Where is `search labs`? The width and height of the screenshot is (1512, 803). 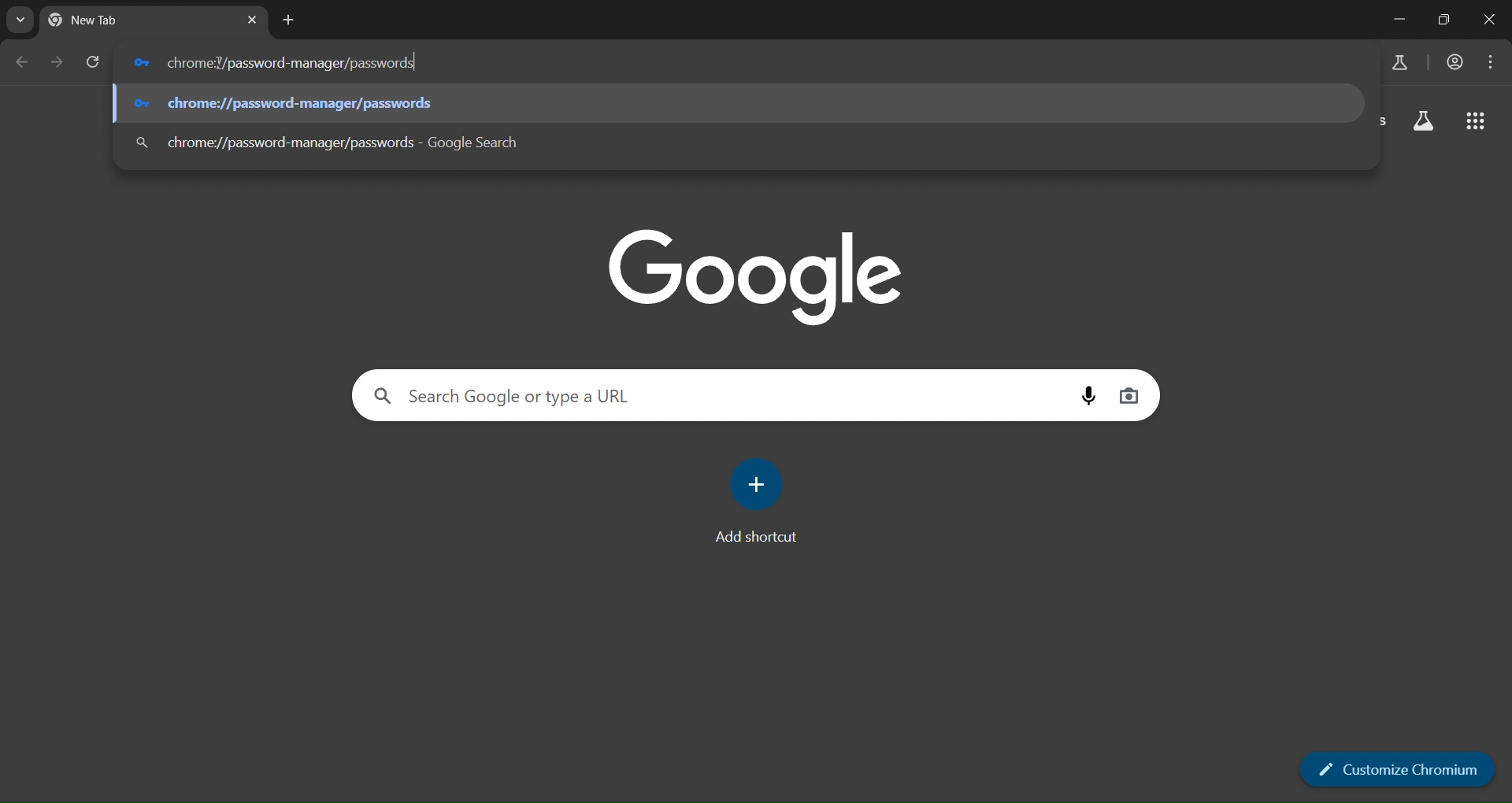 search labs is located at coordinates (1397, 64).